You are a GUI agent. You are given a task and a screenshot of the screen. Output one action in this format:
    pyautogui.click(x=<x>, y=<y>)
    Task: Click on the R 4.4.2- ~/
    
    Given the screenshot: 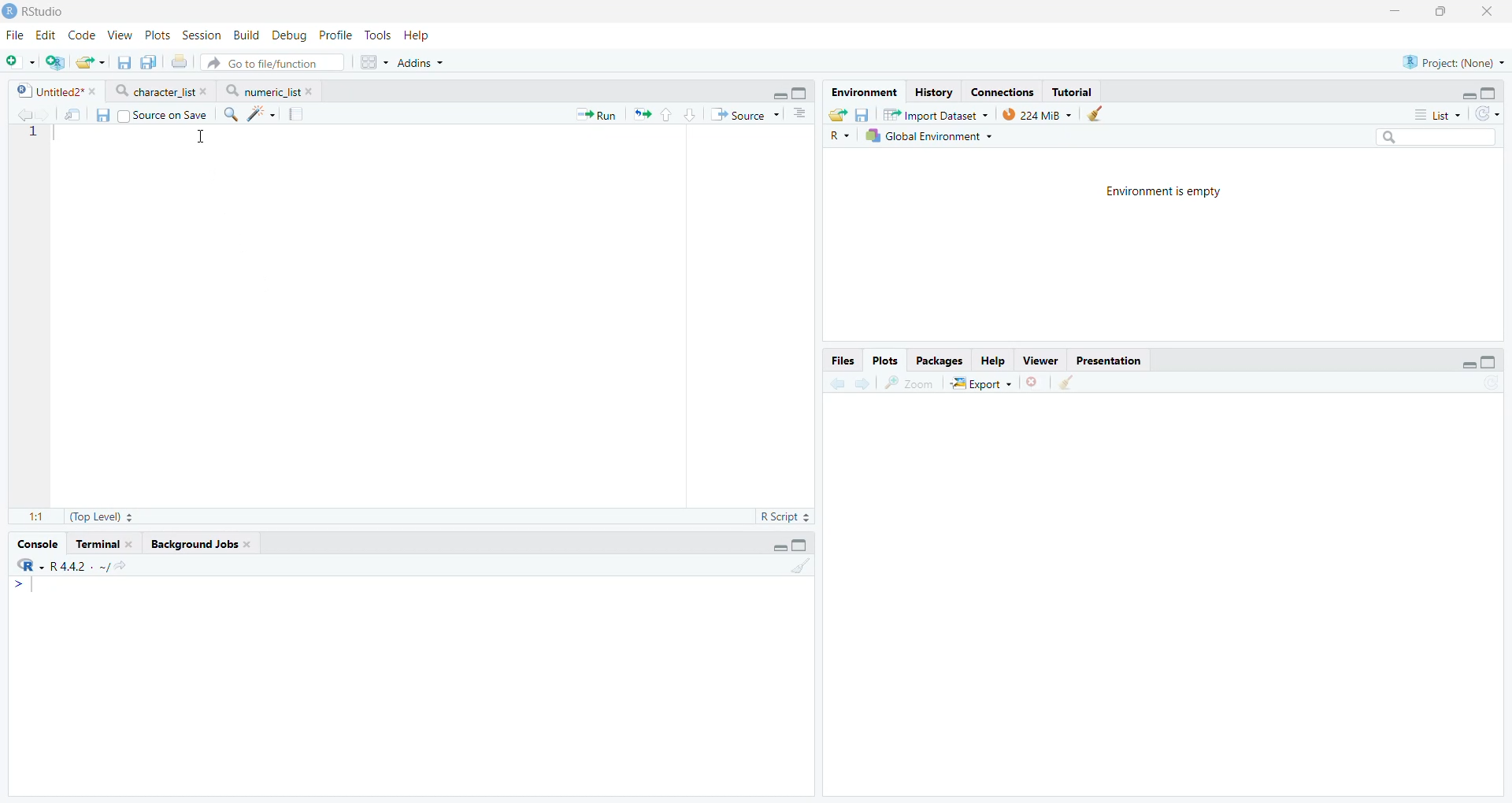 What is the action you would take?
    pyautogui.click(x=72, y=565)
    